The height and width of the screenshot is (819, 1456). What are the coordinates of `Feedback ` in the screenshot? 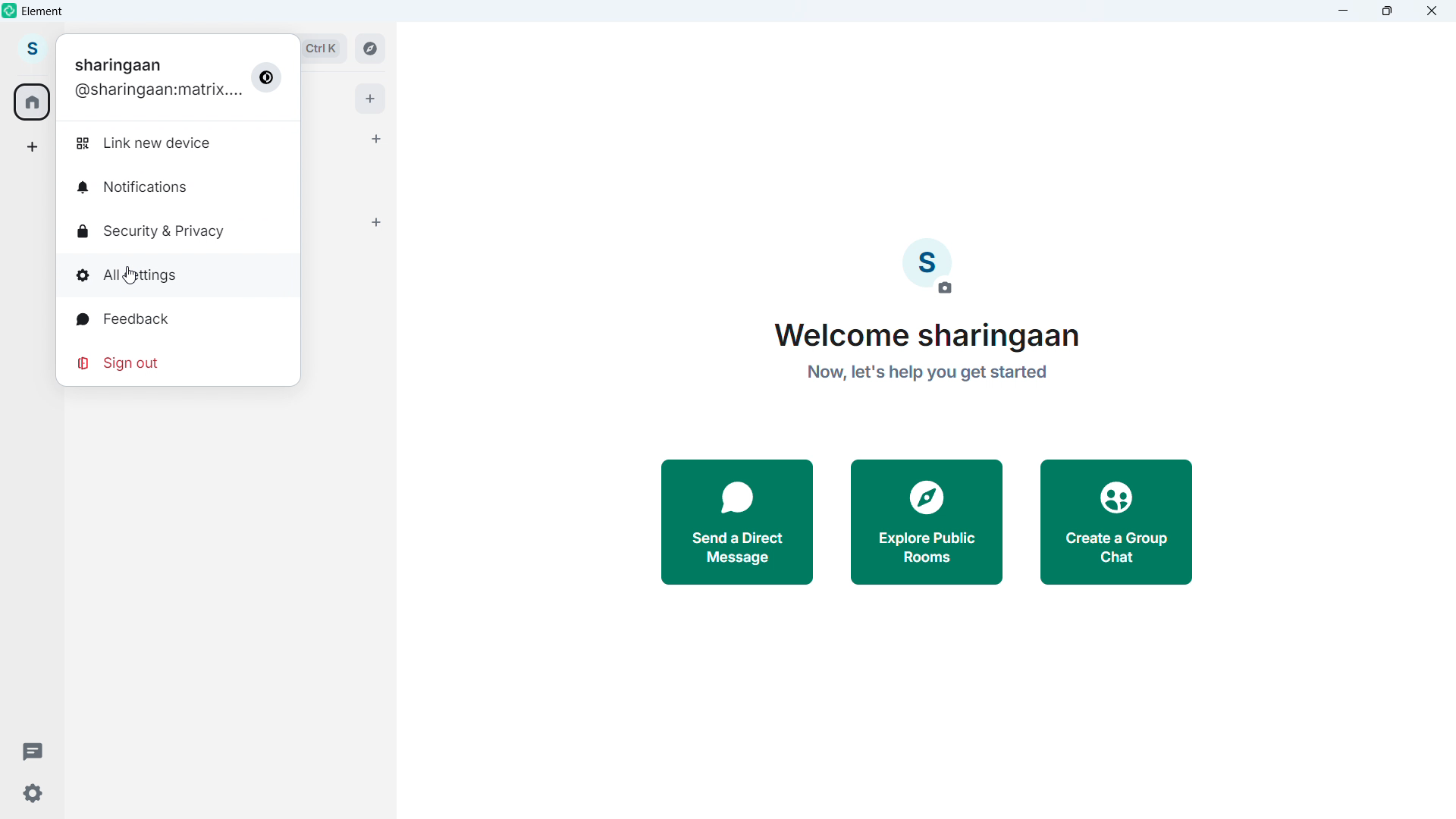 It's located at (121, 316).